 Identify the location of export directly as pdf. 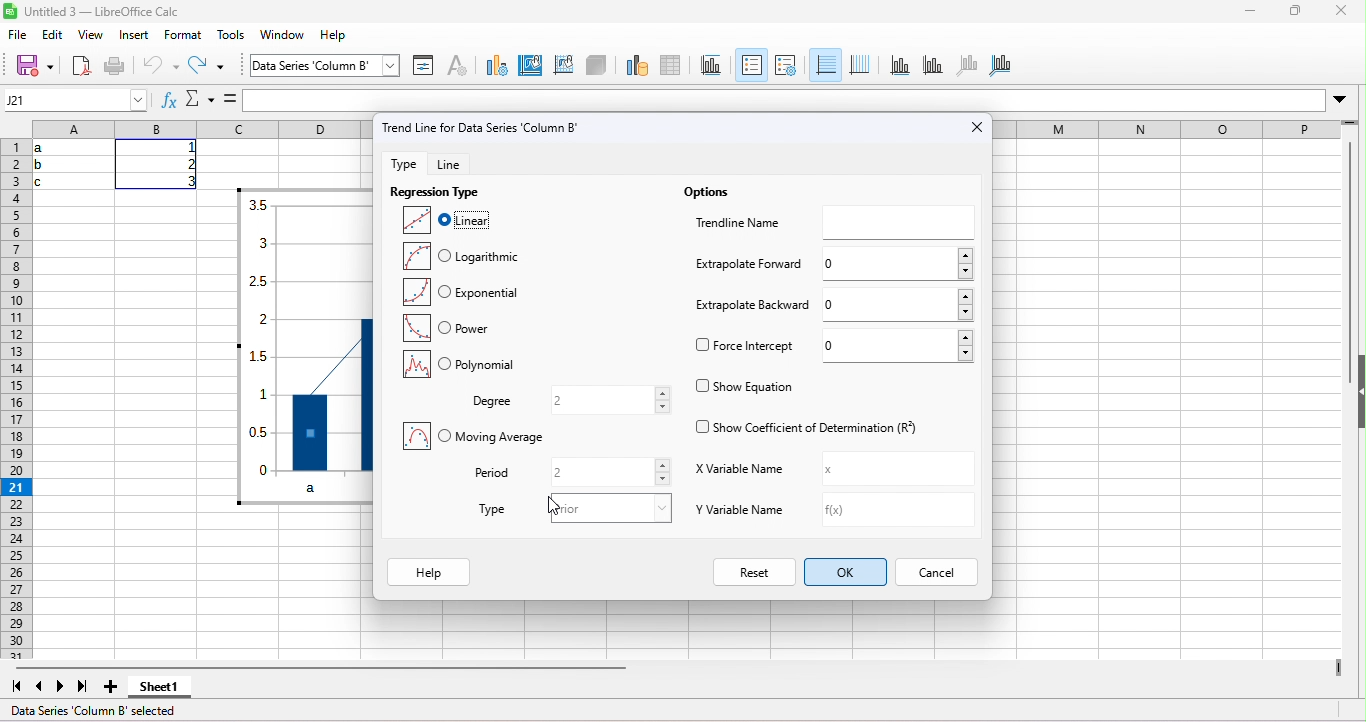
(79, 67).